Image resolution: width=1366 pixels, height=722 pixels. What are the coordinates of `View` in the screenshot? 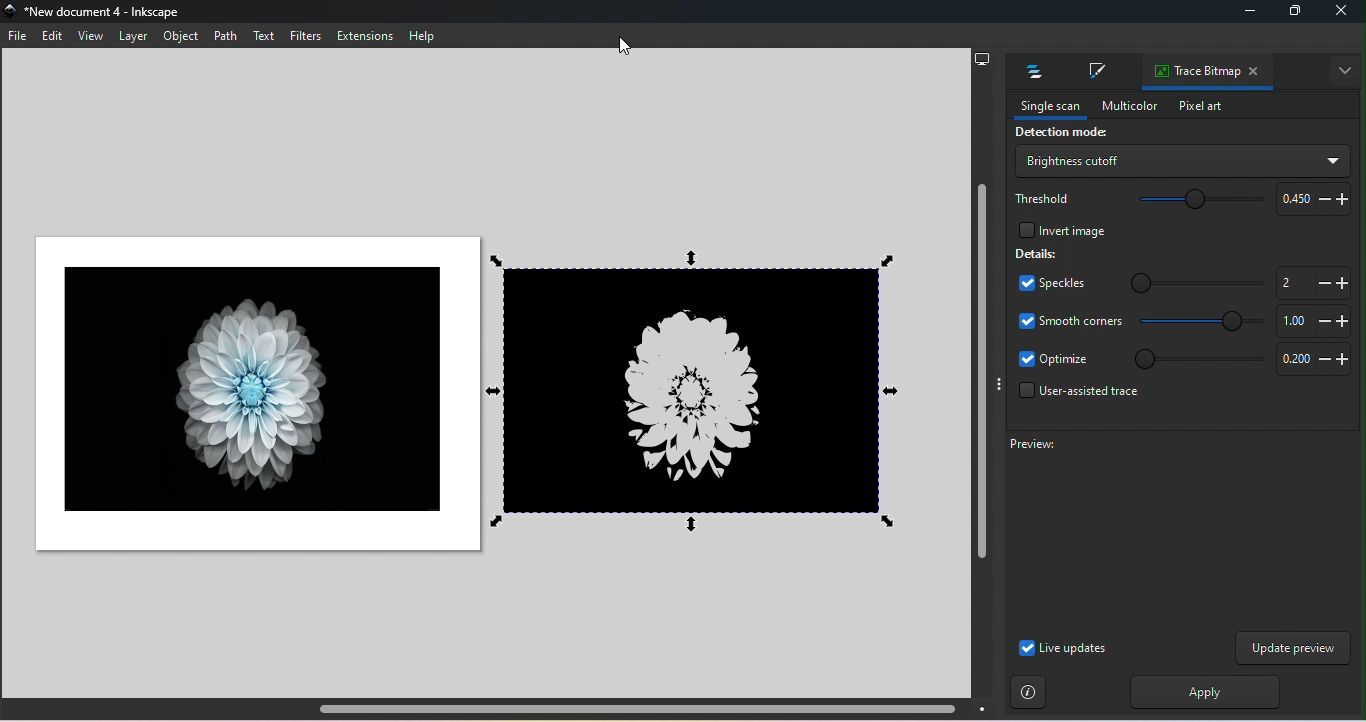 It's located at (88, 36).